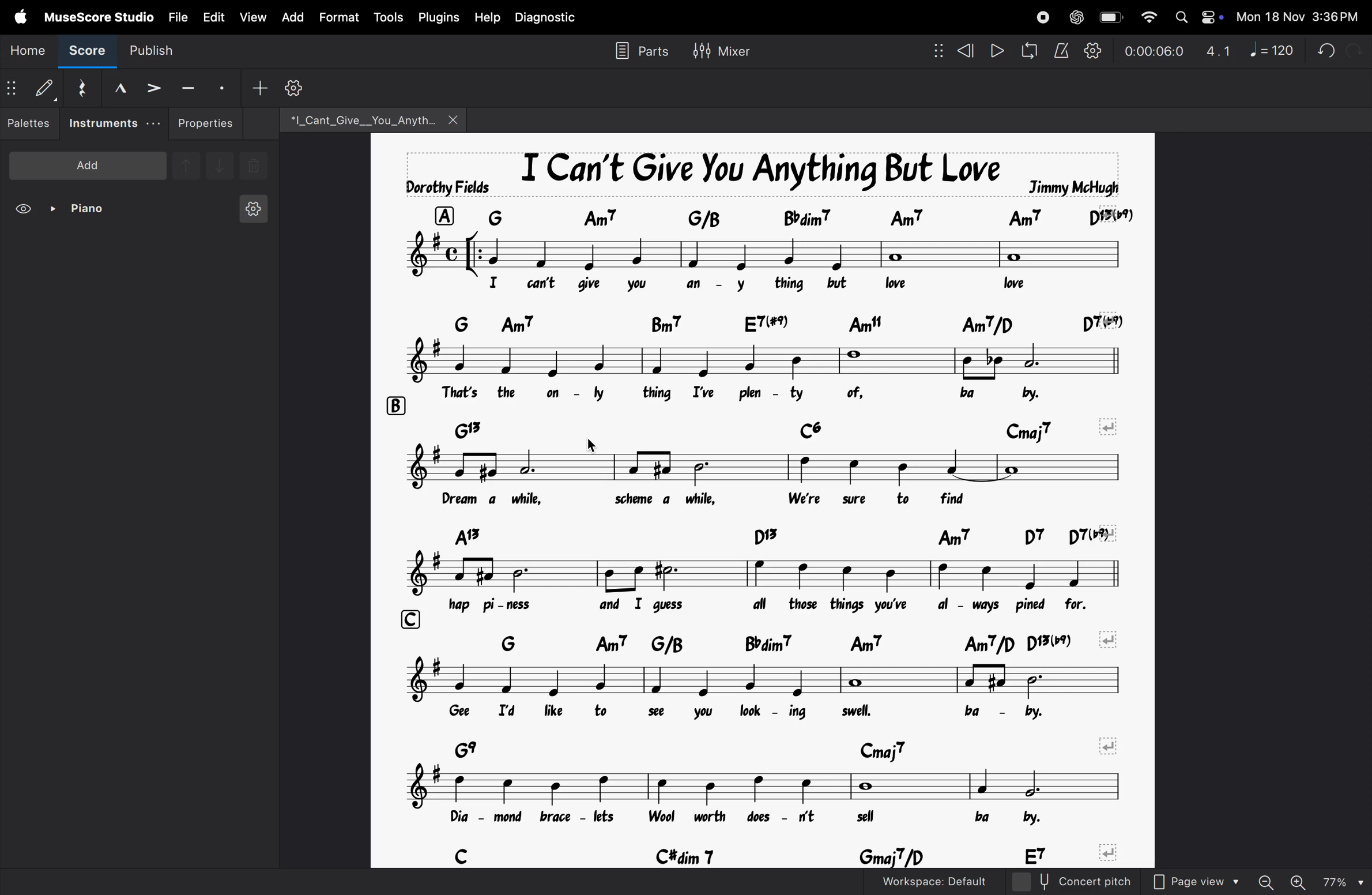  I want to click on file name, so click(367, 118).